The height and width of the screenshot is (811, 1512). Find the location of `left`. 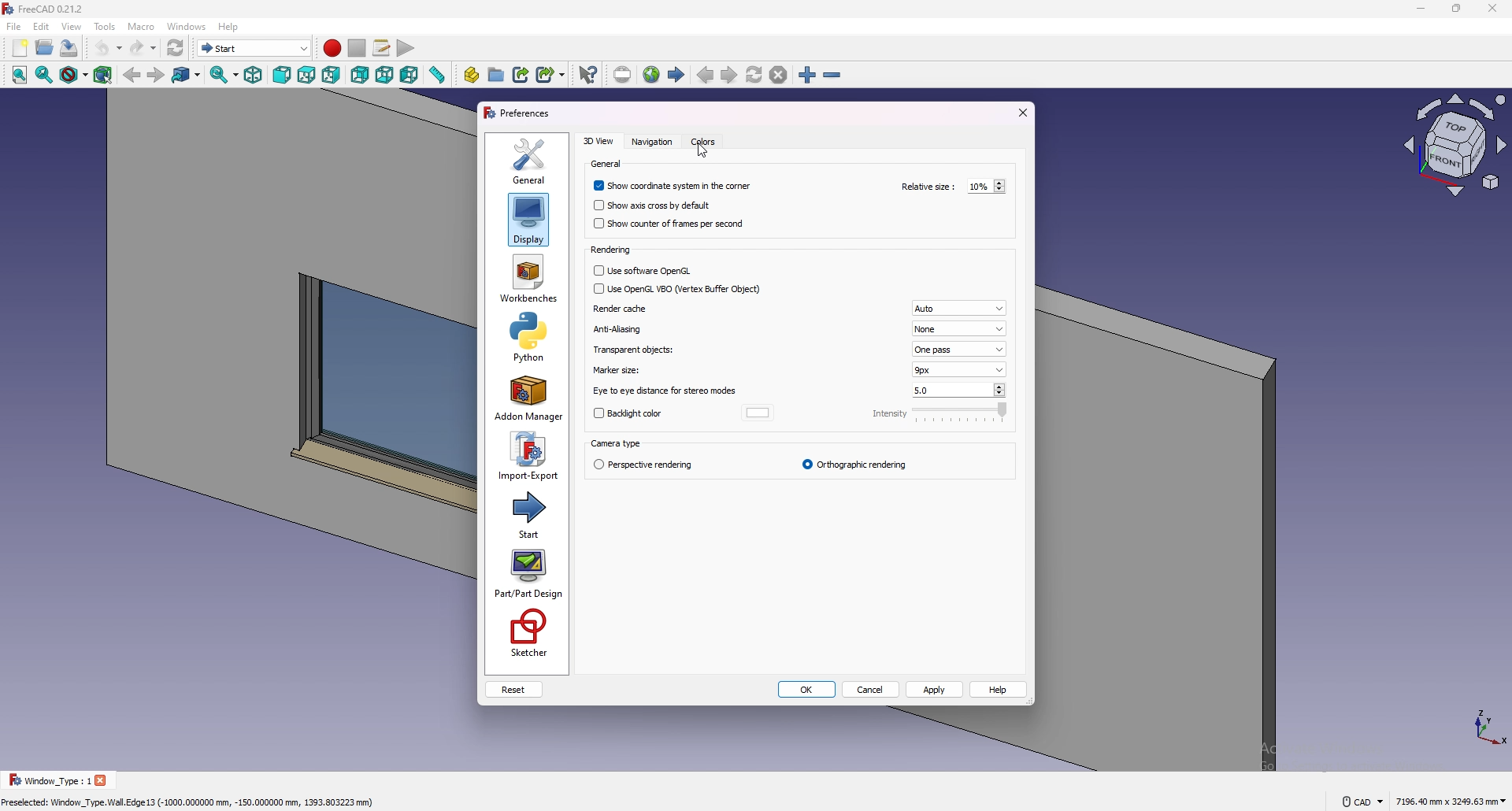

left is located at coordinates (410, 75).